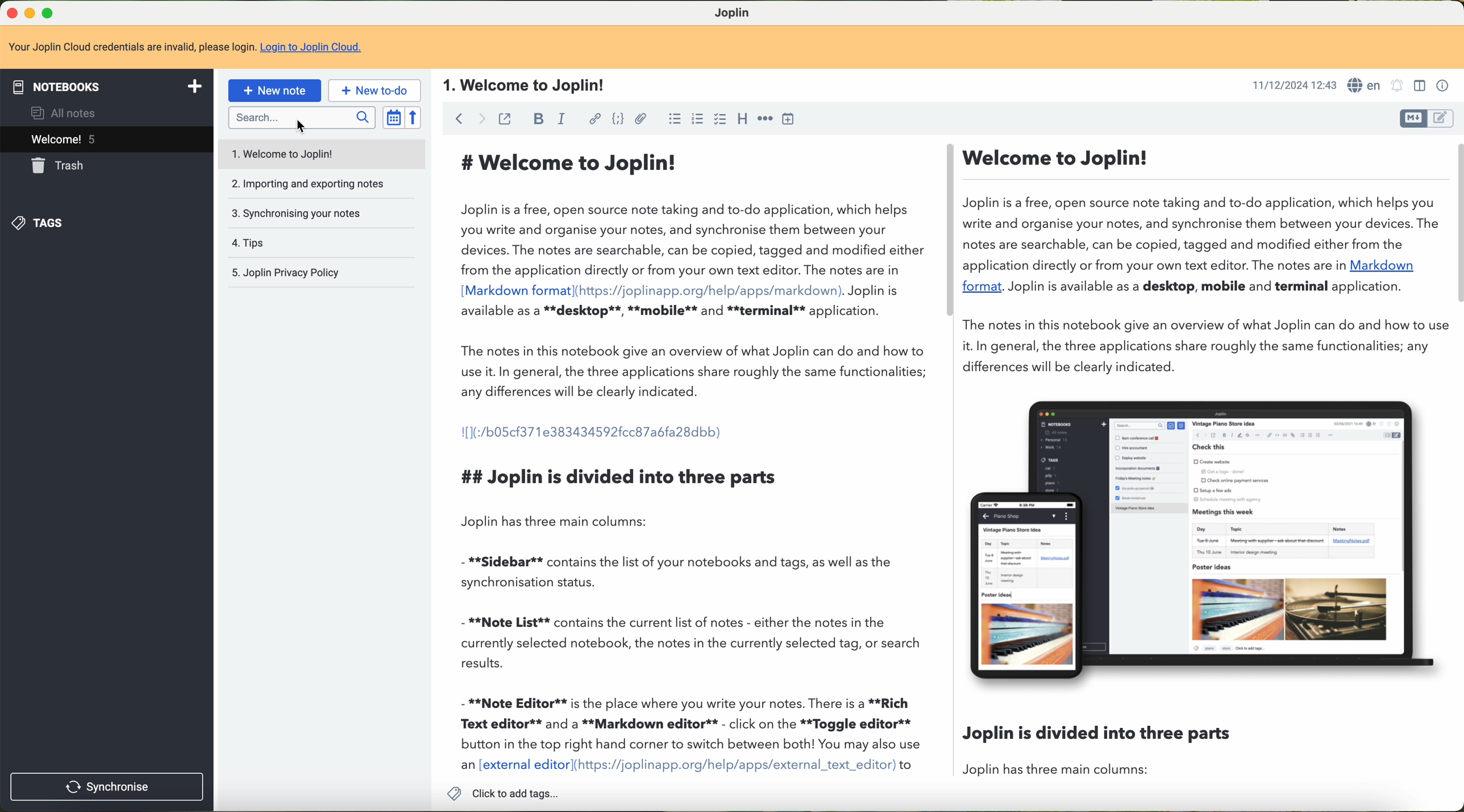 This screenshot has width=1464, height=812. What do you see at coordinates (734, 11) in the screenshot?
I see `Joplin` at bounding box center [734, 11].